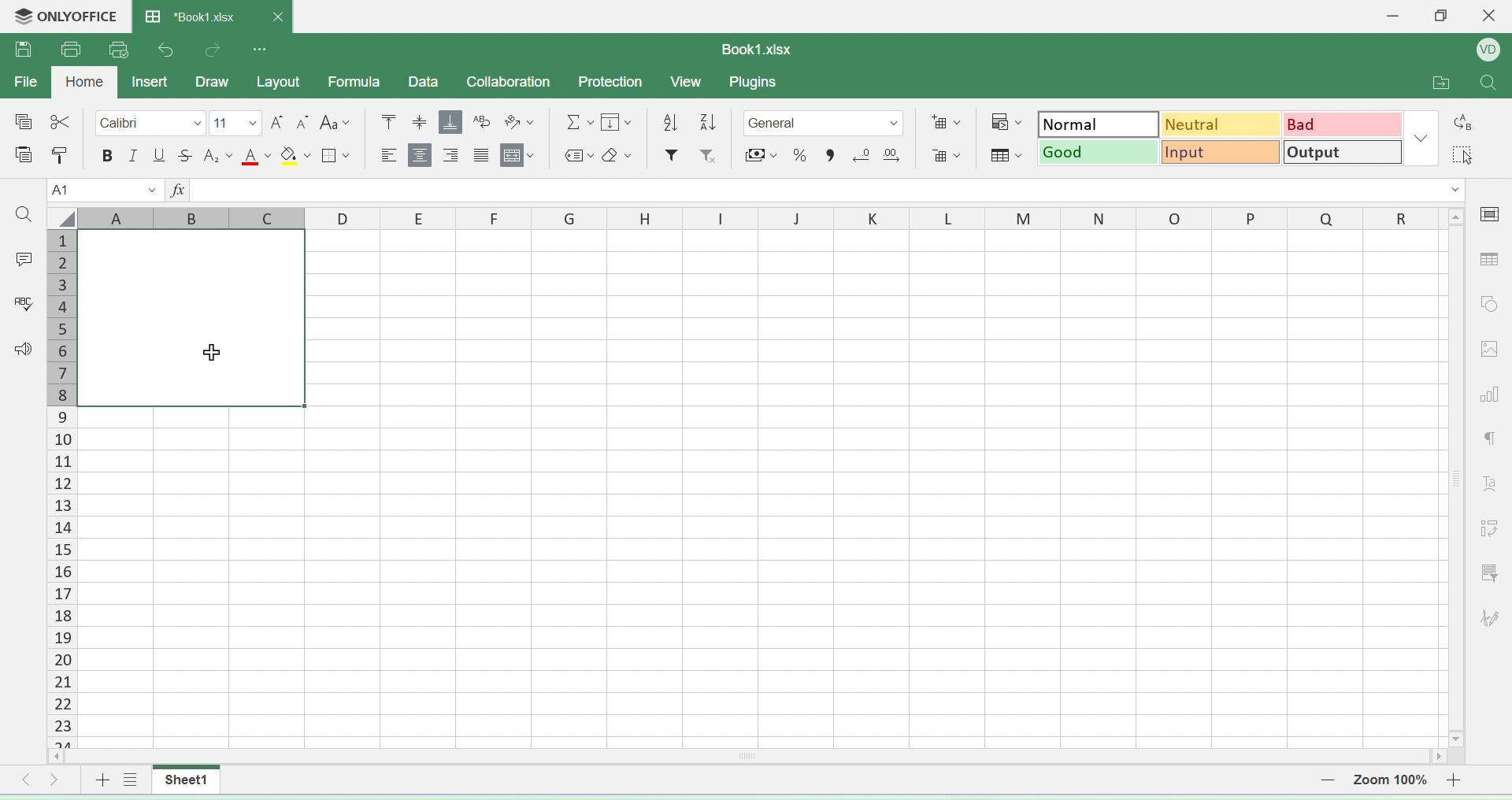 The image size is (1512, 800). Describe the element at coordinates (760, 218) in the screenshot. I see `row headers` at that location.